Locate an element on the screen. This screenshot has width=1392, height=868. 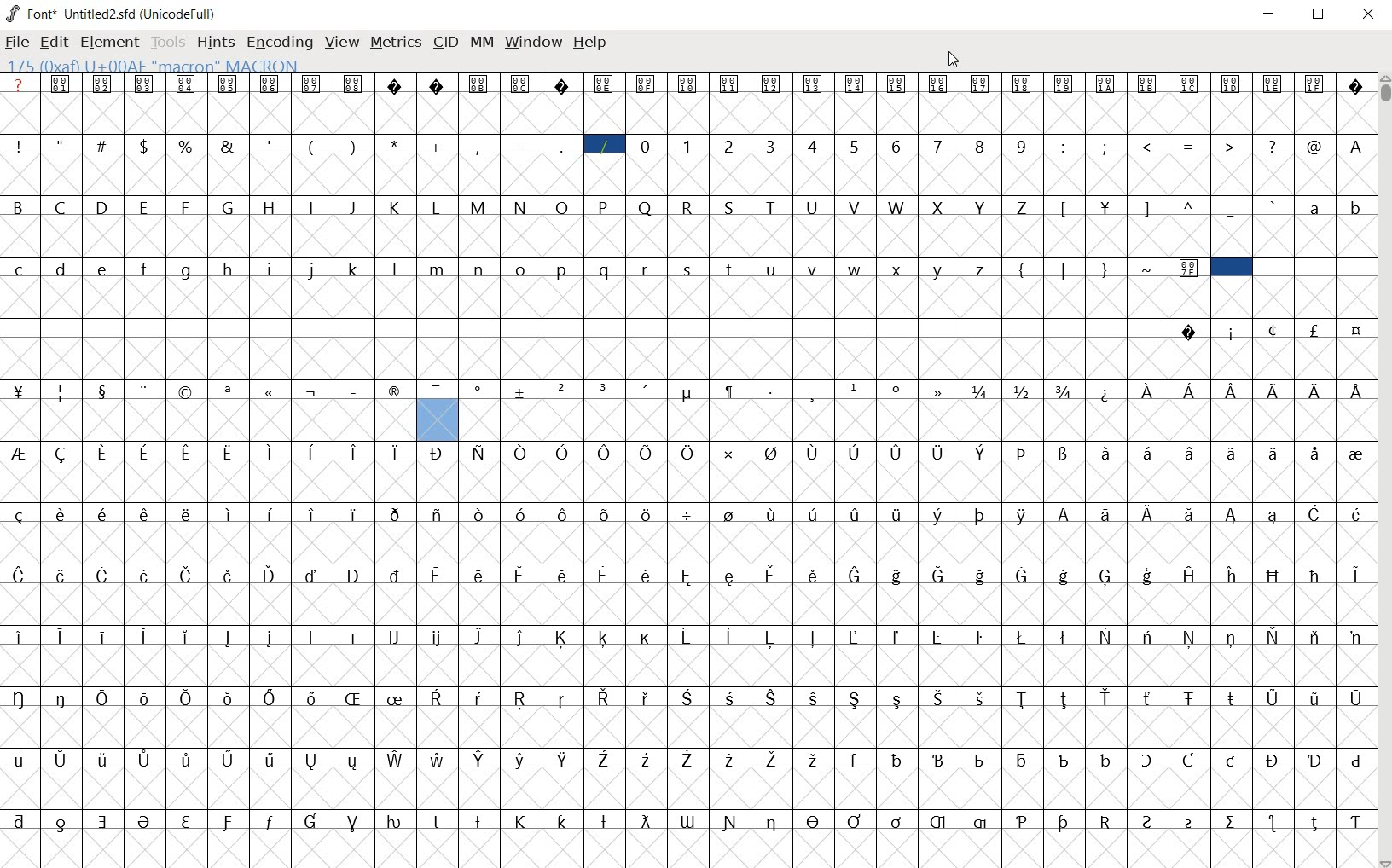
1 is located at coordinates (688, 144).